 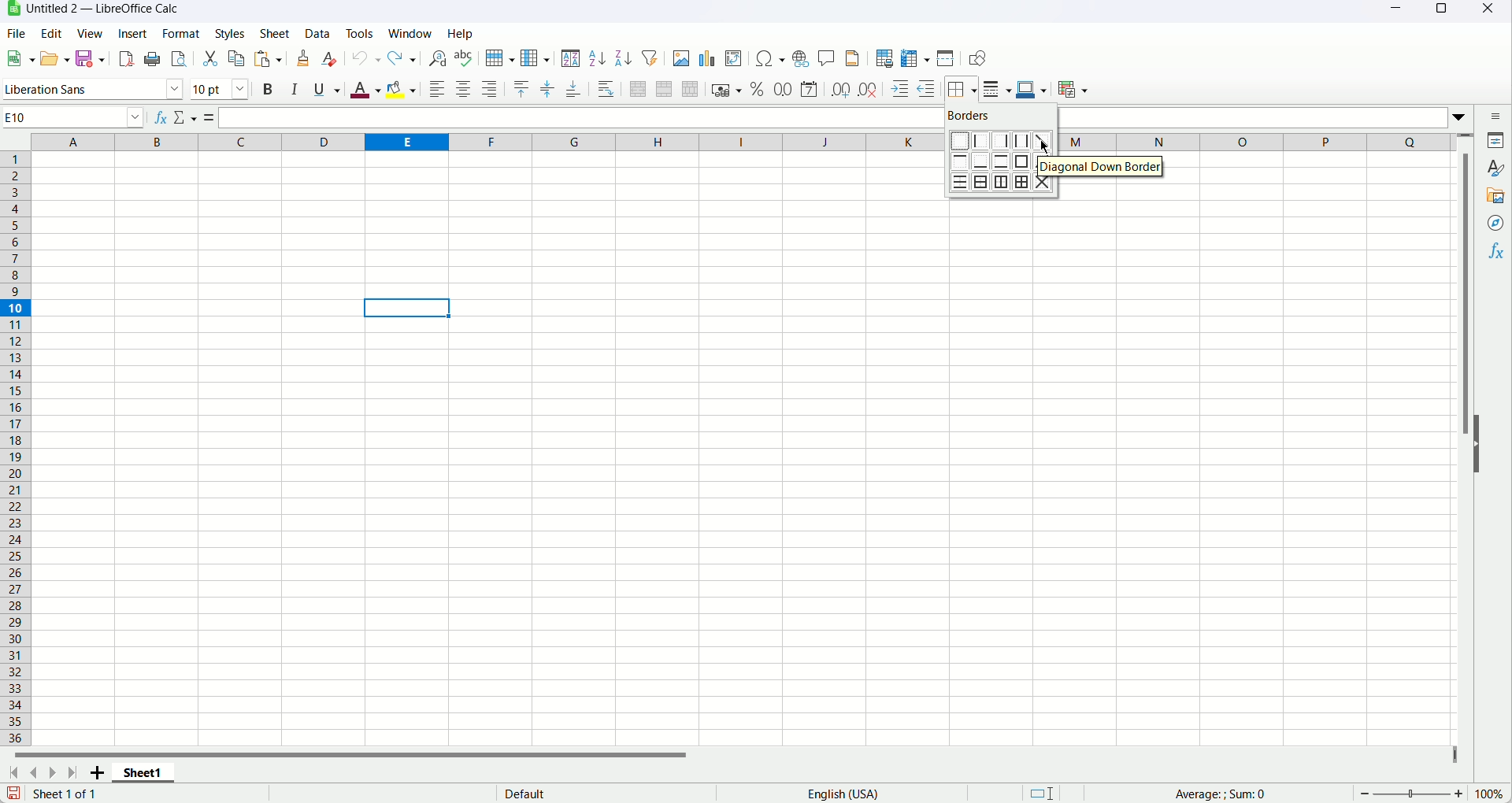 What do you see at coordinates (574, 87) in the screenshot?
I see `Align bottom` at bounding box center [574, 87].